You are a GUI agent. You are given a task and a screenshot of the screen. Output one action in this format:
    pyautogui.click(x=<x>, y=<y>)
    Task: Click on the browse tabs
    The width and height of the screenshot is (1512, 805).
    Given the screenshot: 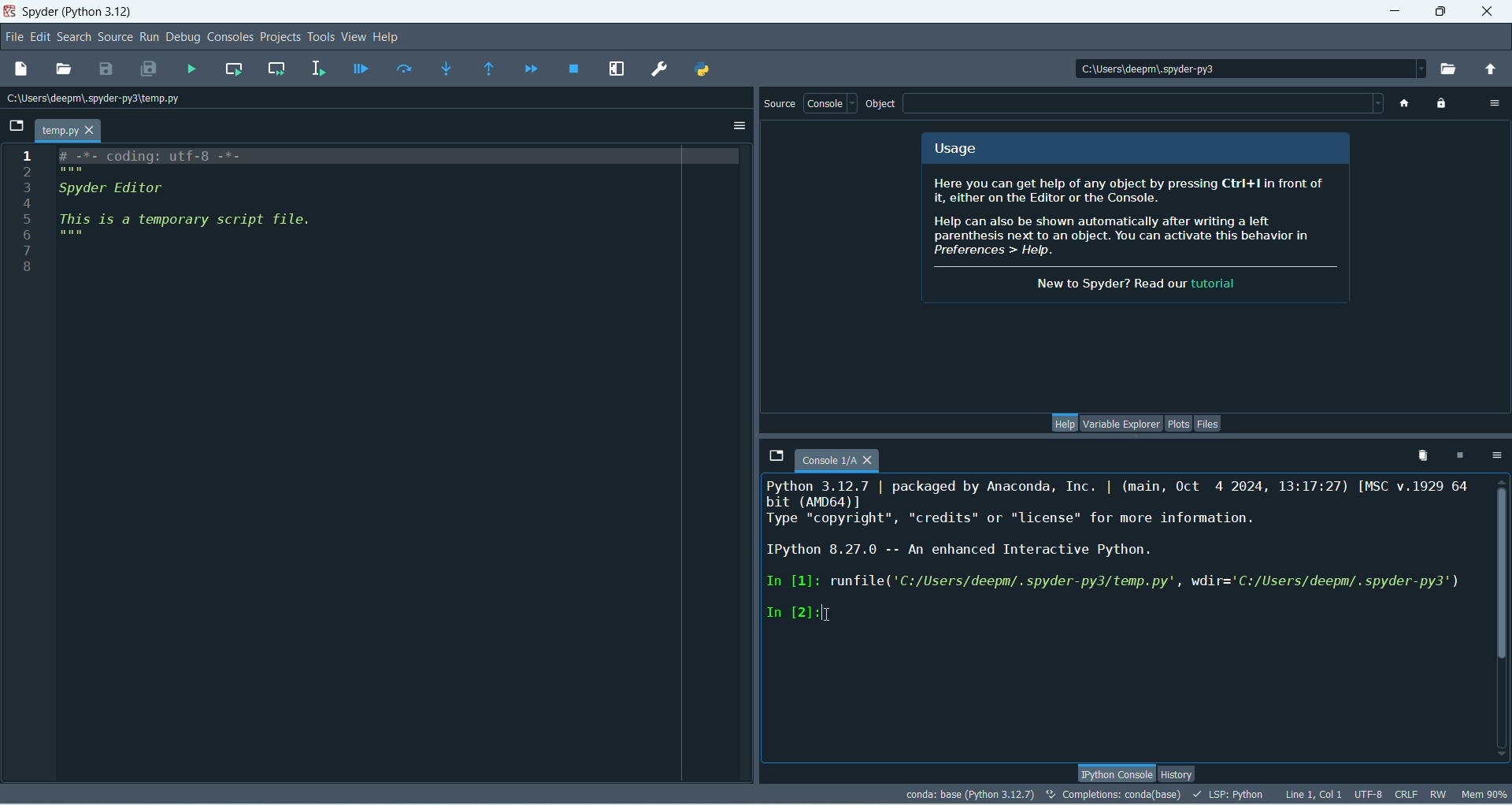 What is the action you would take?
    pyautogui.click(x=777, y=458)
    